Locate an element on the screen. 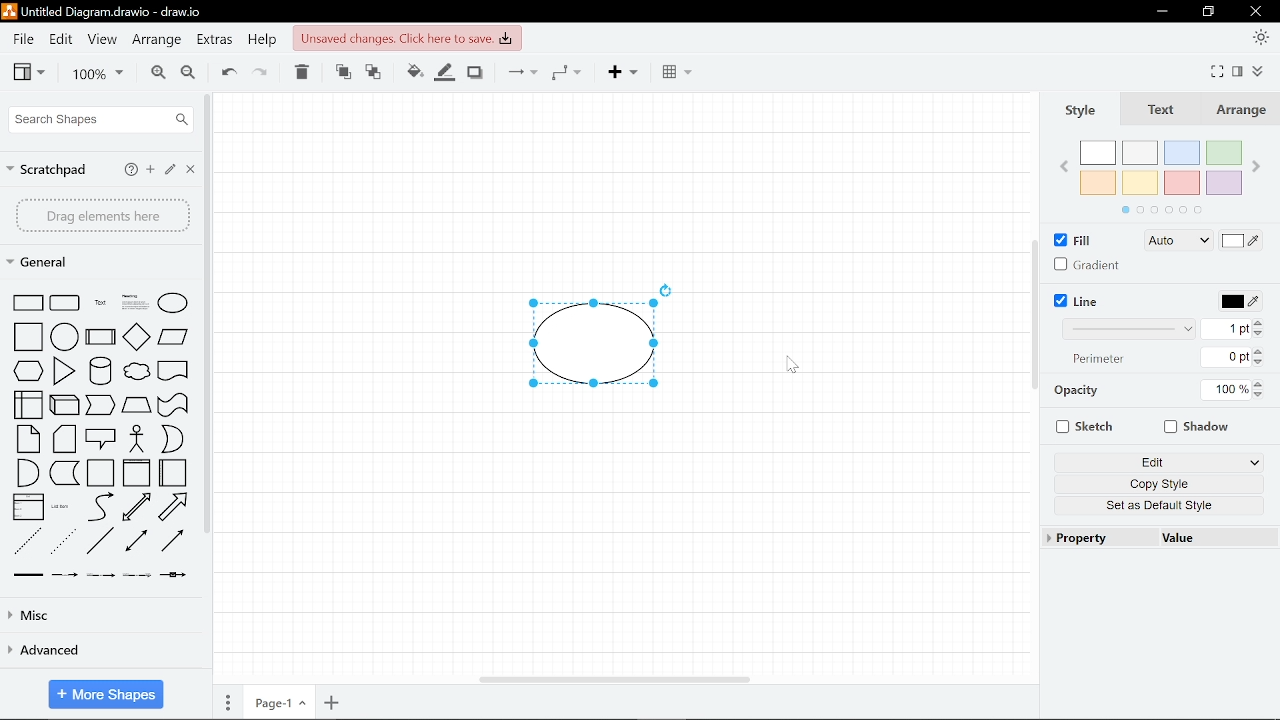 The width and height of the screenshot is (1280, 720). curved rectangle  is located at coordinates (66, 302).